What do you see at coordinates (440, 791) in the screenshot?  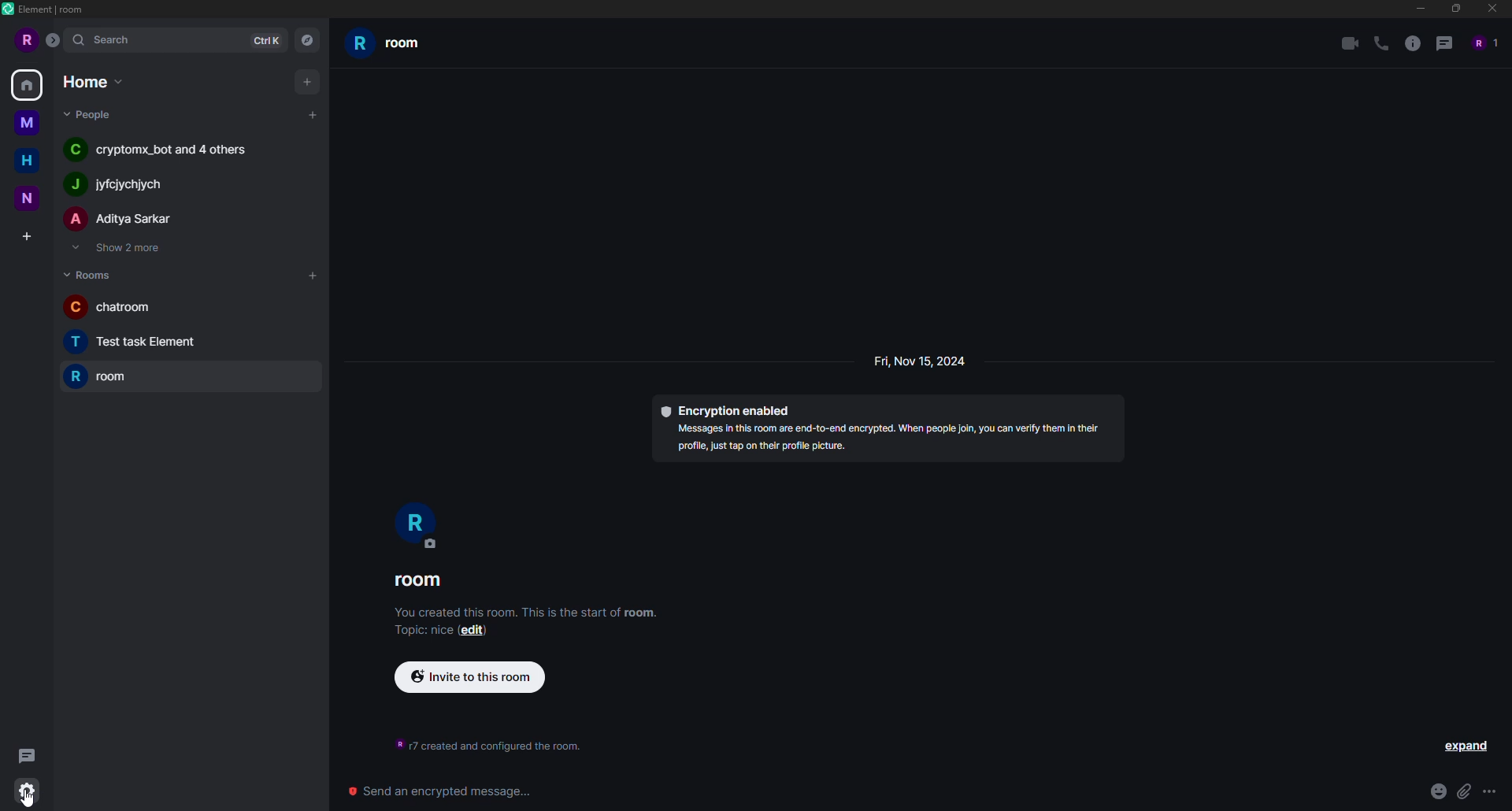 I see `send encrypted message` at bounding box center [440, 791].